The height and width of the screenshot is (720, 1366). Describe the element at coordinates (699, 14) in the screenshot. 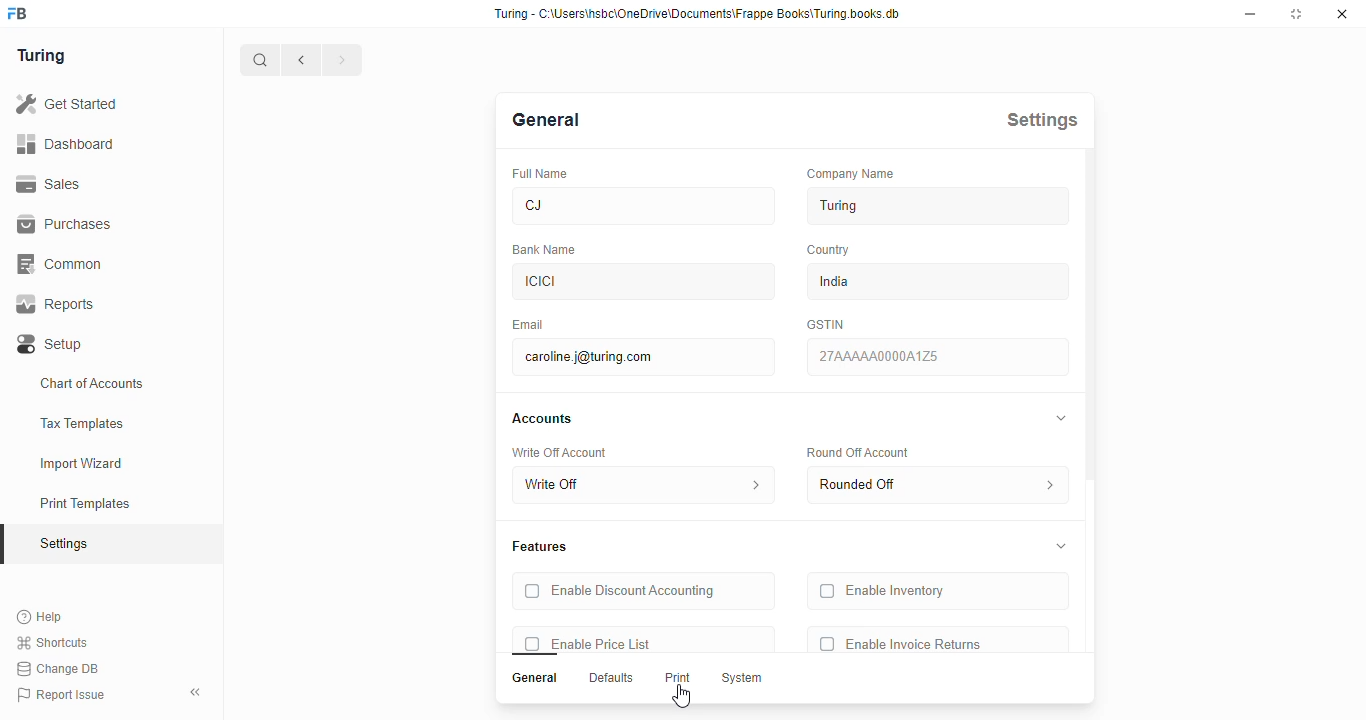

I see `Turing - C:\Users\hshc\OneDrive\Documents\Frappe Books\Turing.books.db` at that location.